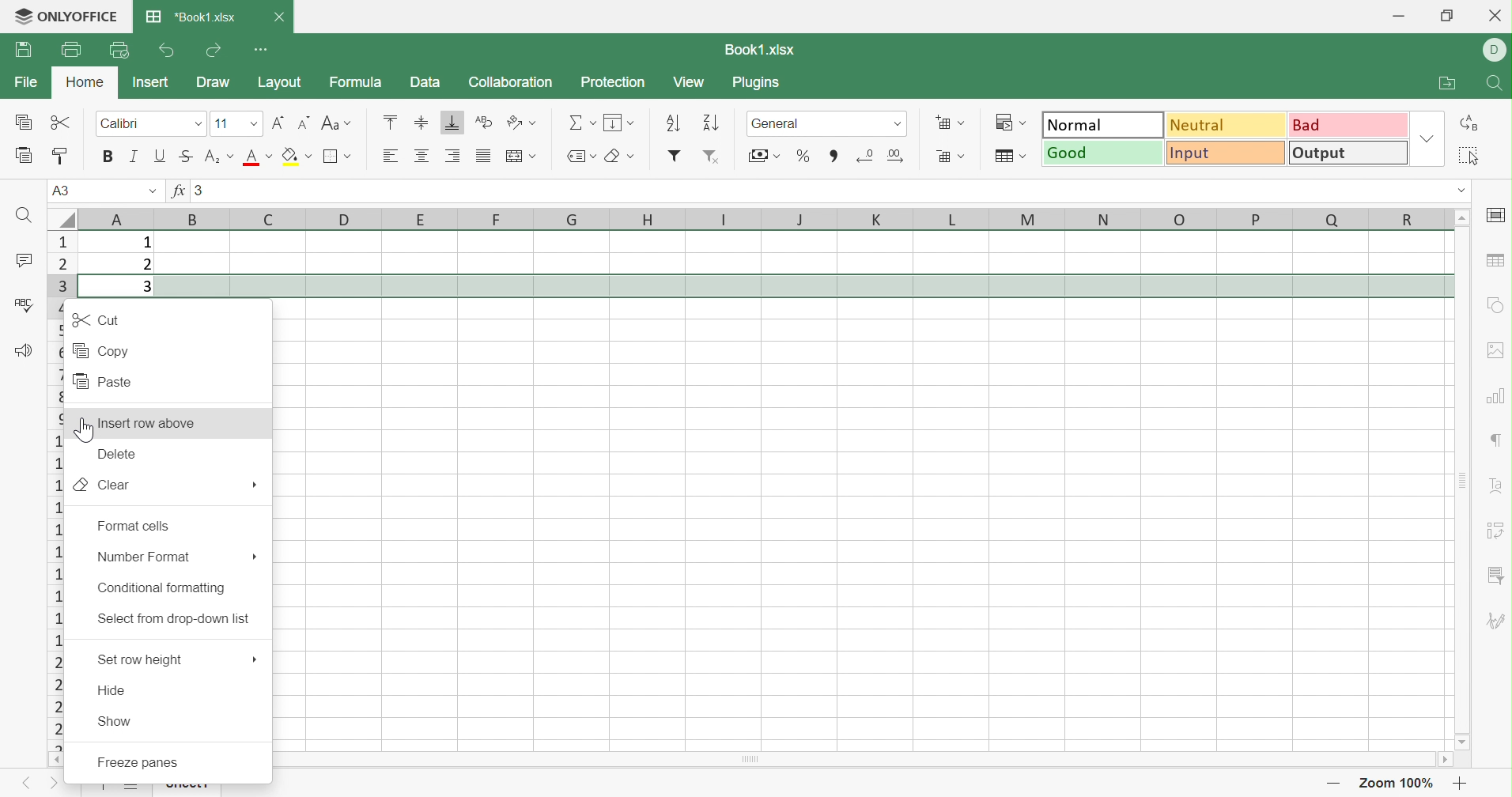 Image resolution: width=1512 pixels, height=797 pixels. I want to click on Neutral, so click(1227, 124).